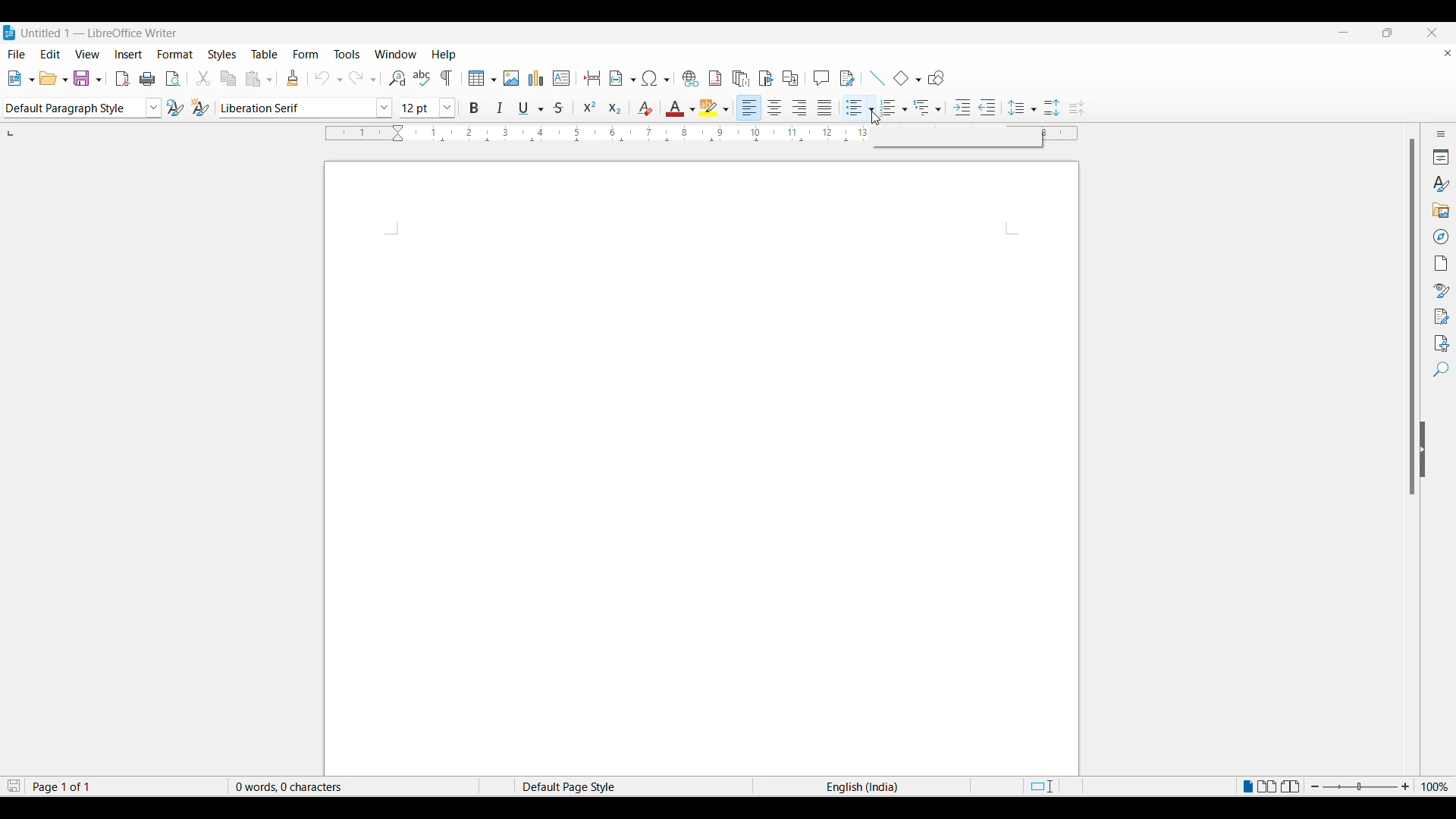 This screenshot has height=819, width=1456. Describe the element at coordinates (1360, 787) in the screenshot. I see `zoom in or zoom out` at that location.